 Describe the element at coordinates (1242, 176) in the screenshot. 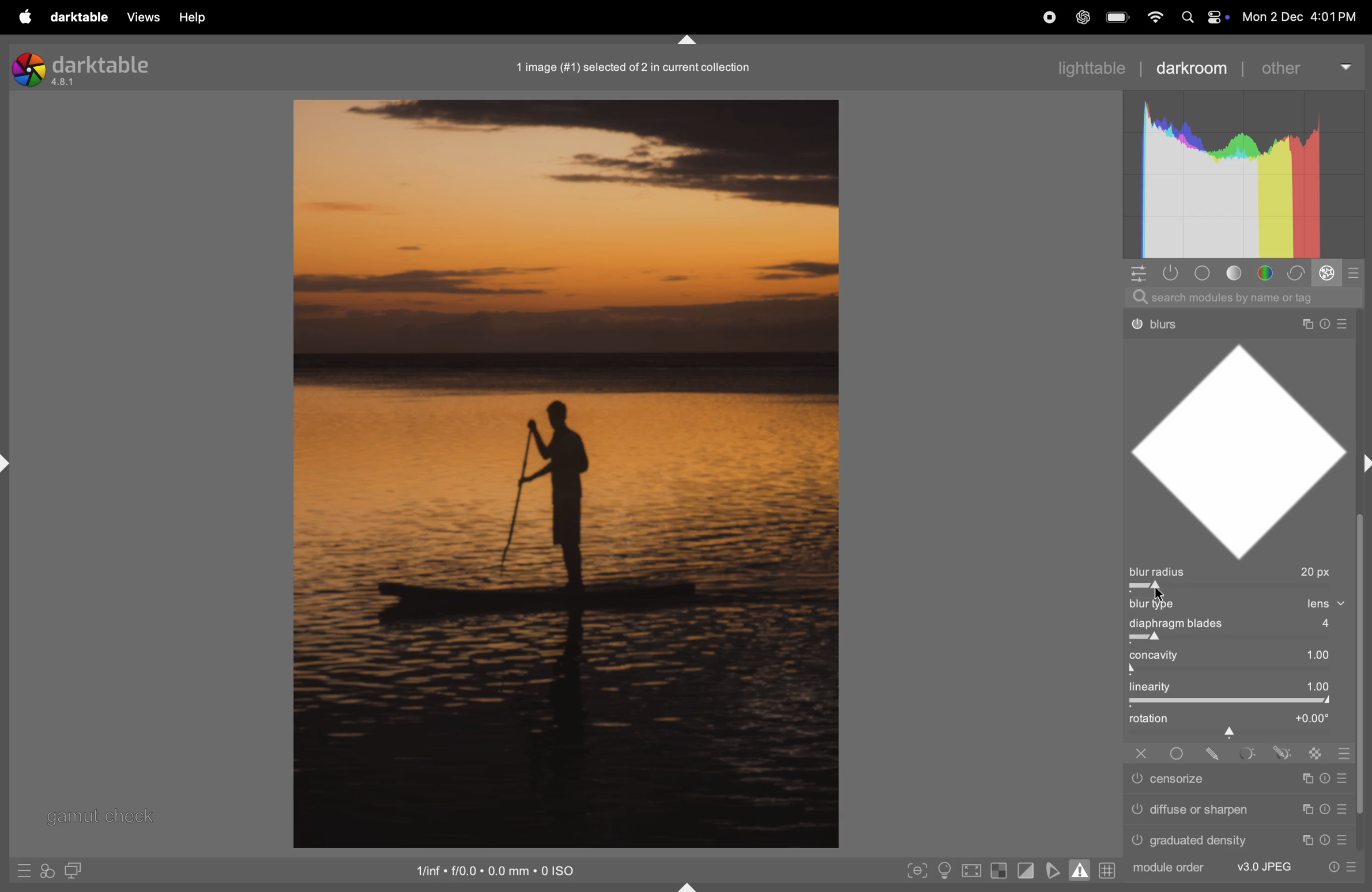

I see `histogram` at that location.